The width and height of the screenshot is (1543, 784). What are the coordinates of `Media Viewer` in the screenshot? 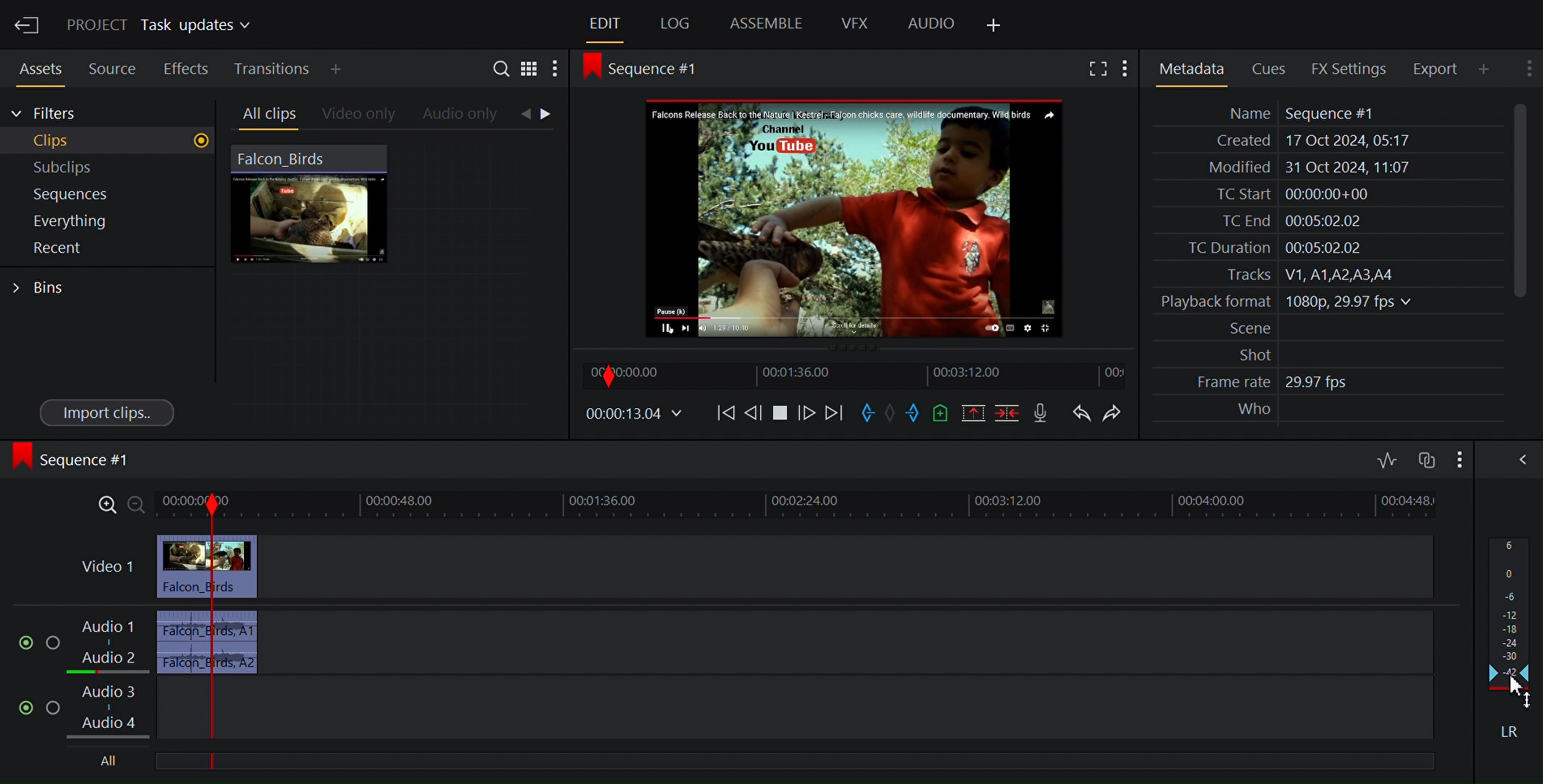 It's located at (853, 217).